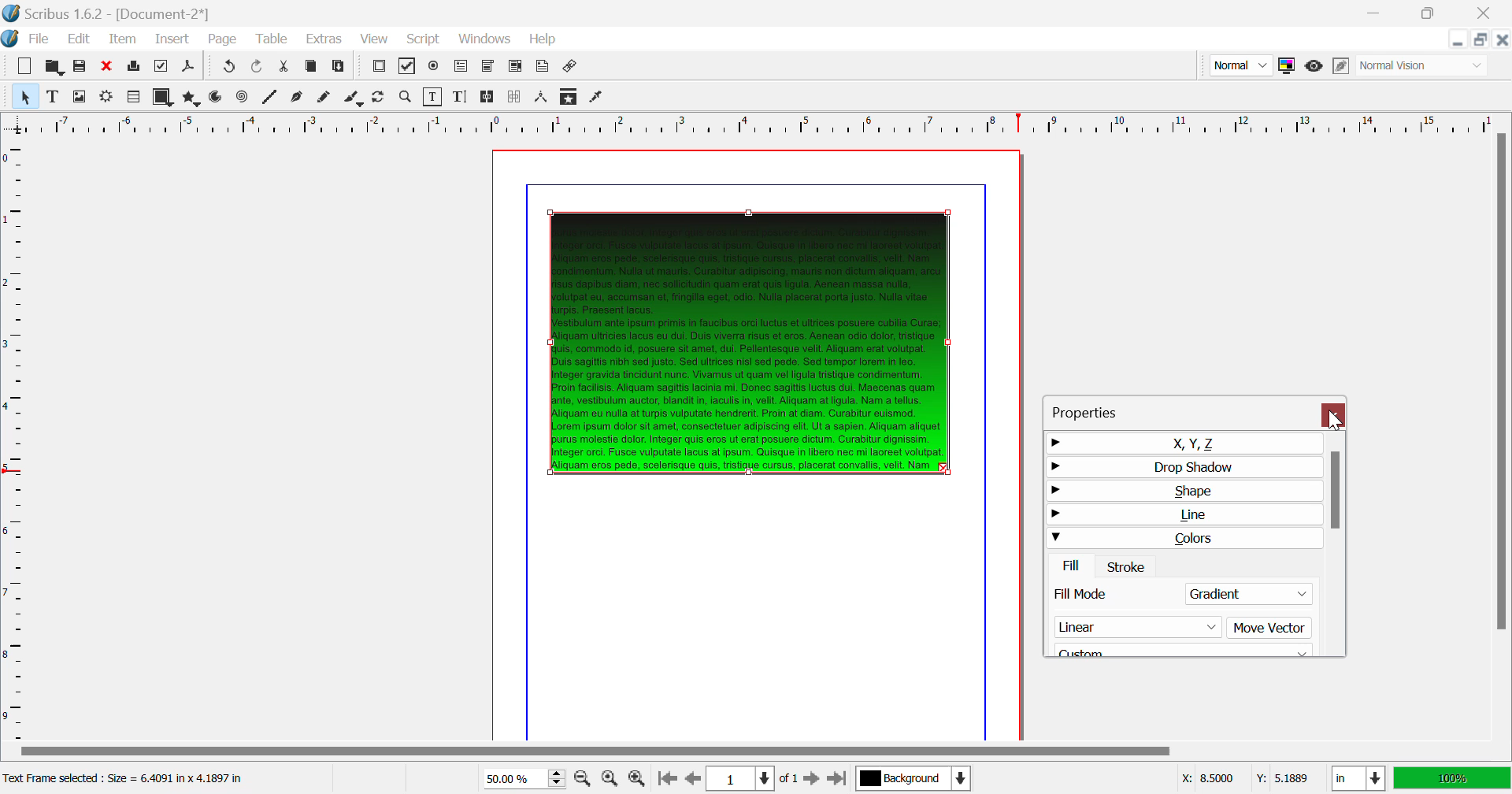 This screenshot has width=1512, height=794. What do you see at coordinates (584, 777) in the screenshot?
I see `Zoom Out` at bounding box center [584, 777].